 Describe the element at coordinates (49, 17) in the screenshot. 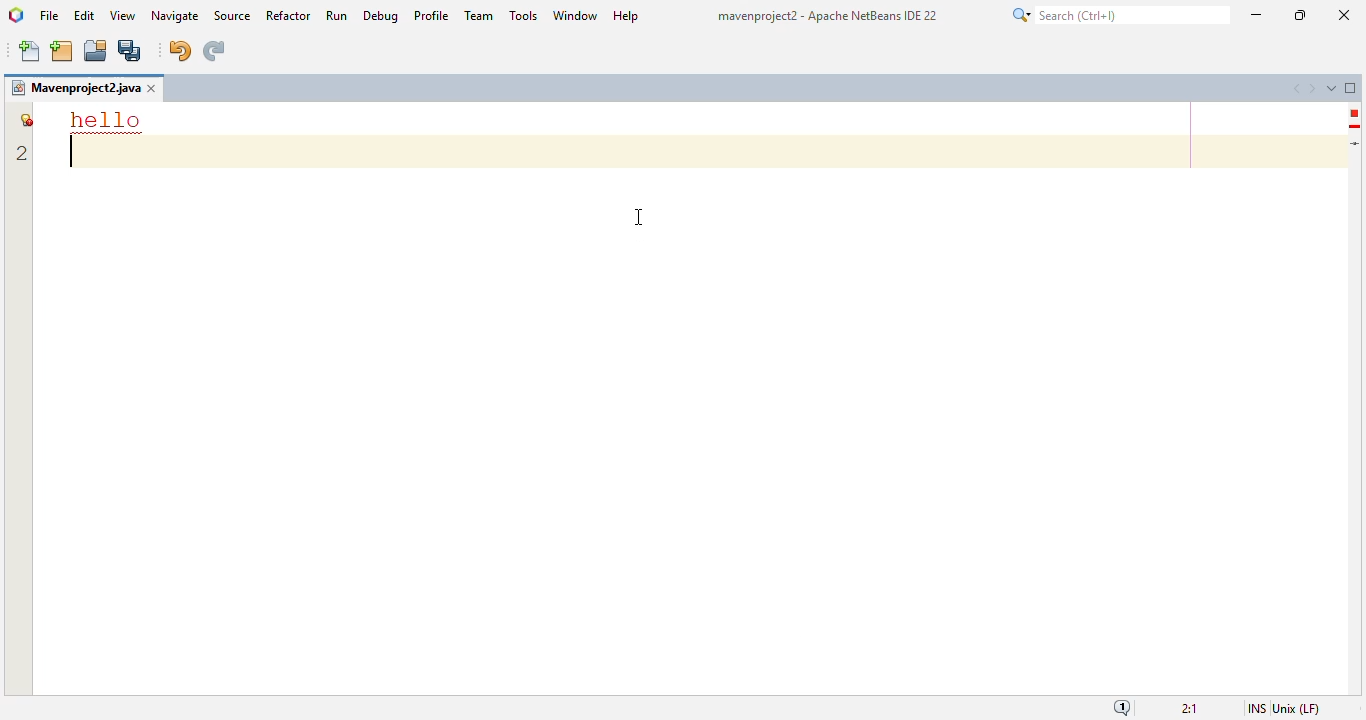

I see `file` at that location.